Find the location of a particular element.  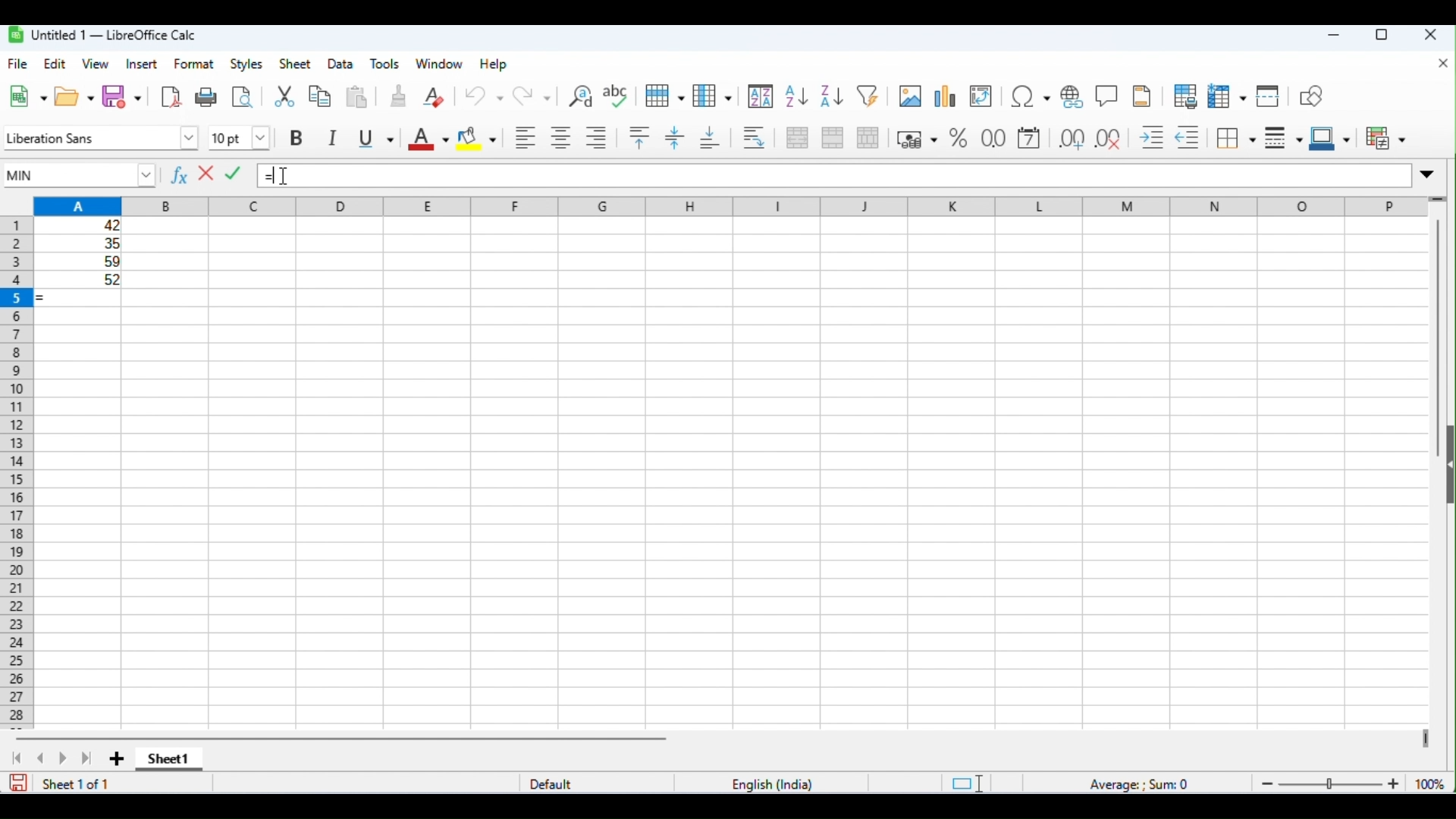

zoom is located at coordinates (1352, 783).